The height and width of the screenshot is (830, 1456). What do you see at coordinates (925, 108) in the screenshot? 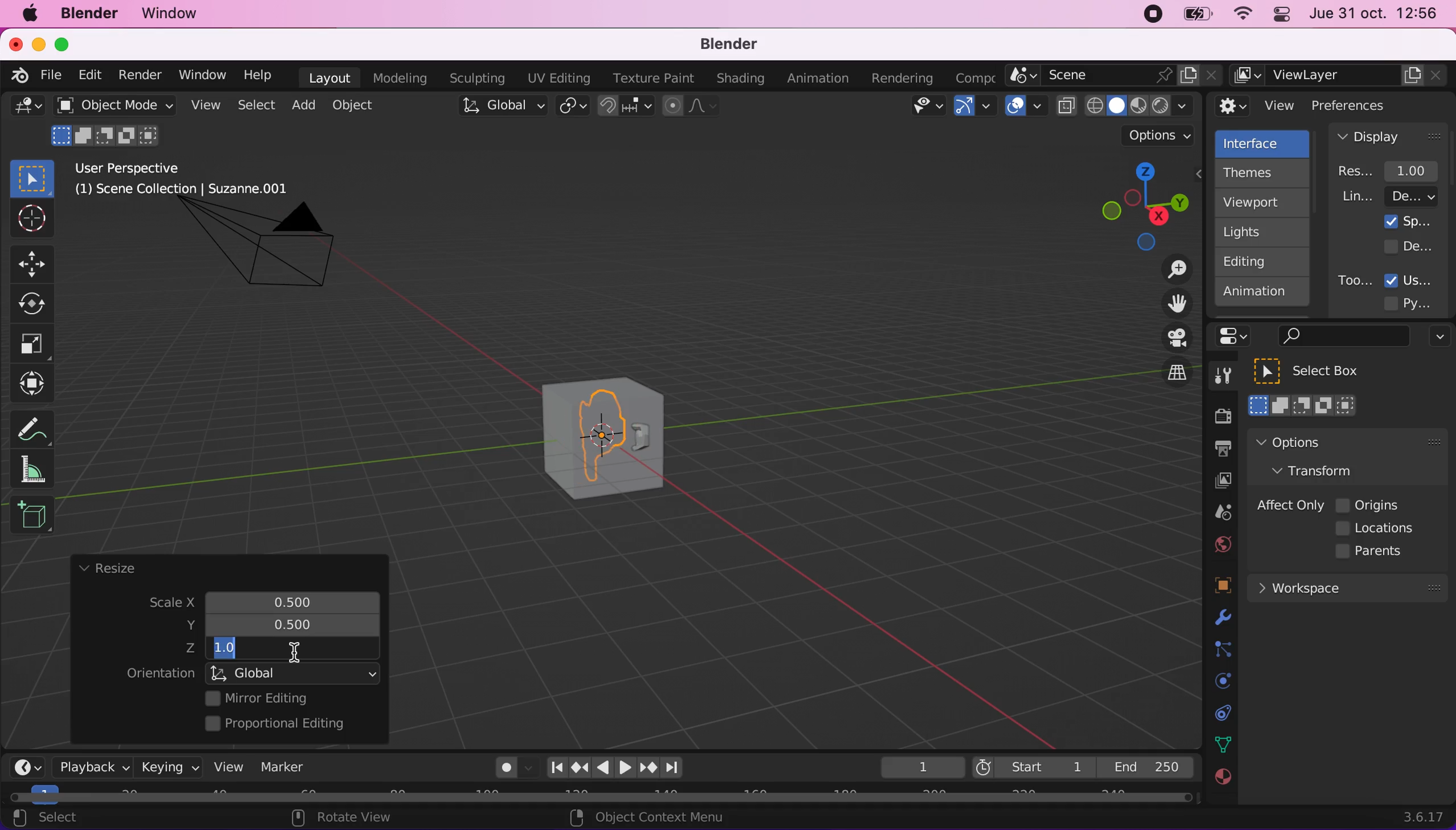
I see `view object types` at bounding box center [925, 108].